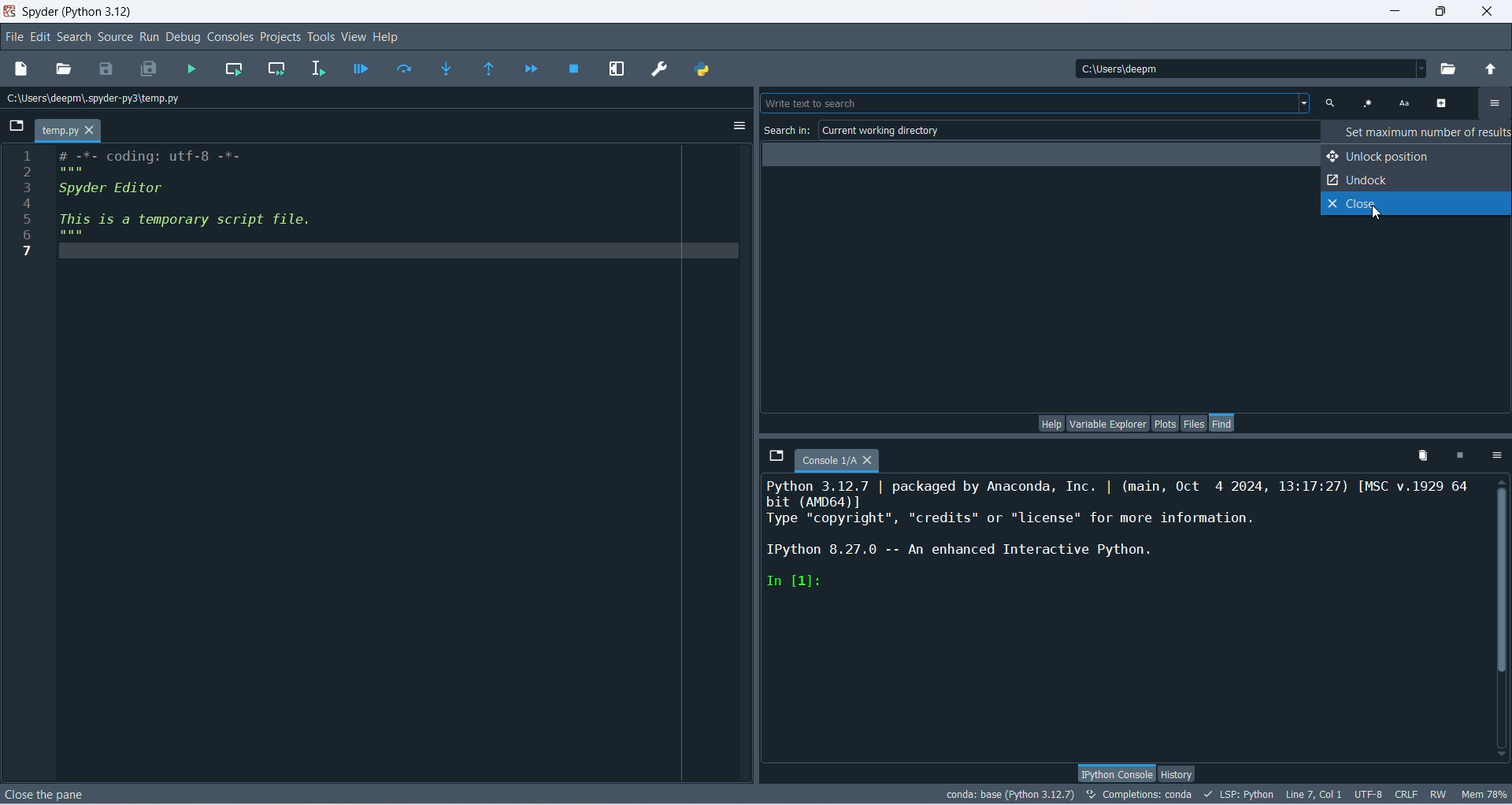  Describe the element at coordinates (1499, 617) in the screenshot. I see `vertical scroll bar` at that location.